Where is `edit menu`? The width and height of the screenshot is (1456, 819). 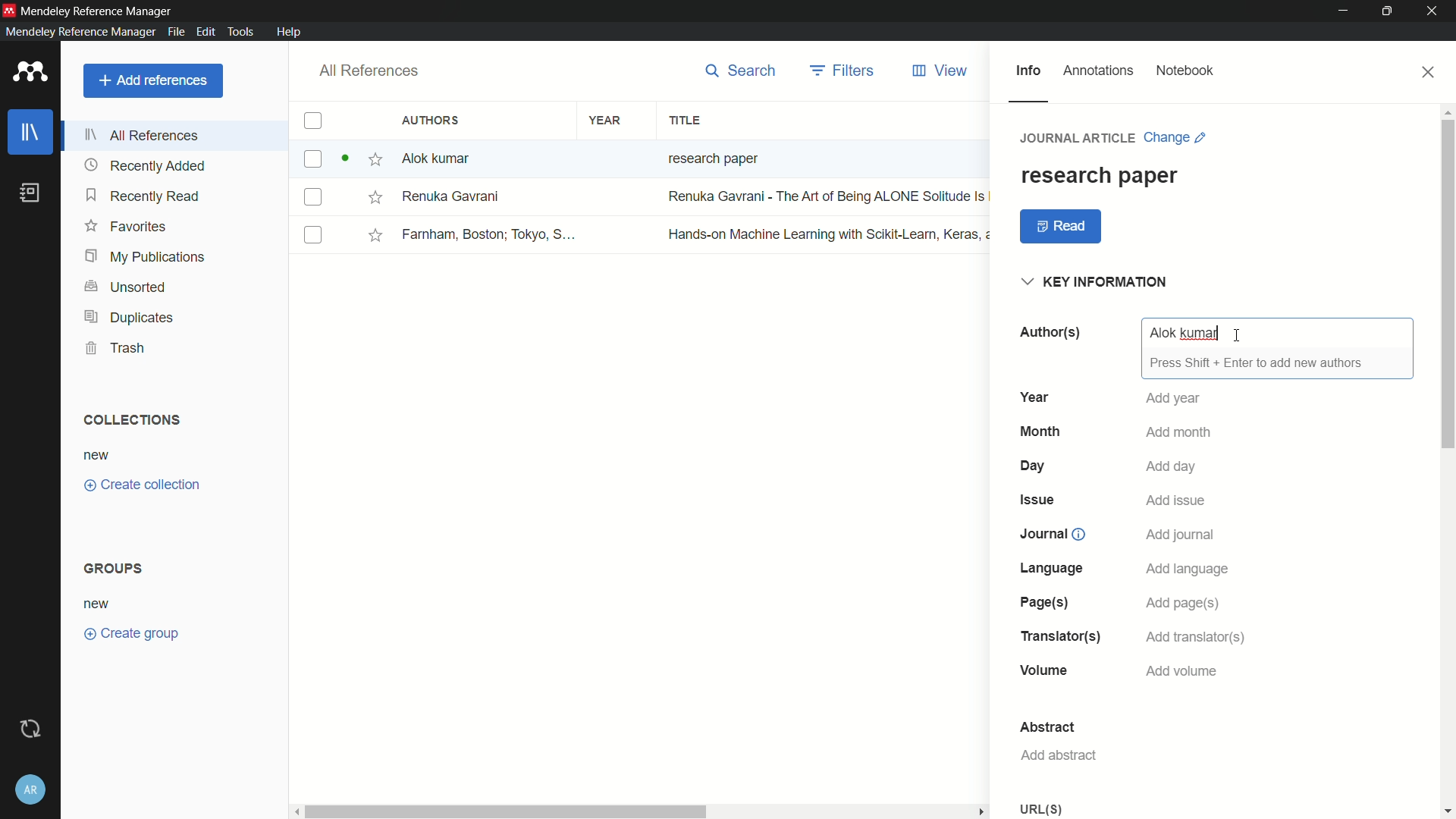
edit menu is located at coordinates (204, 32).